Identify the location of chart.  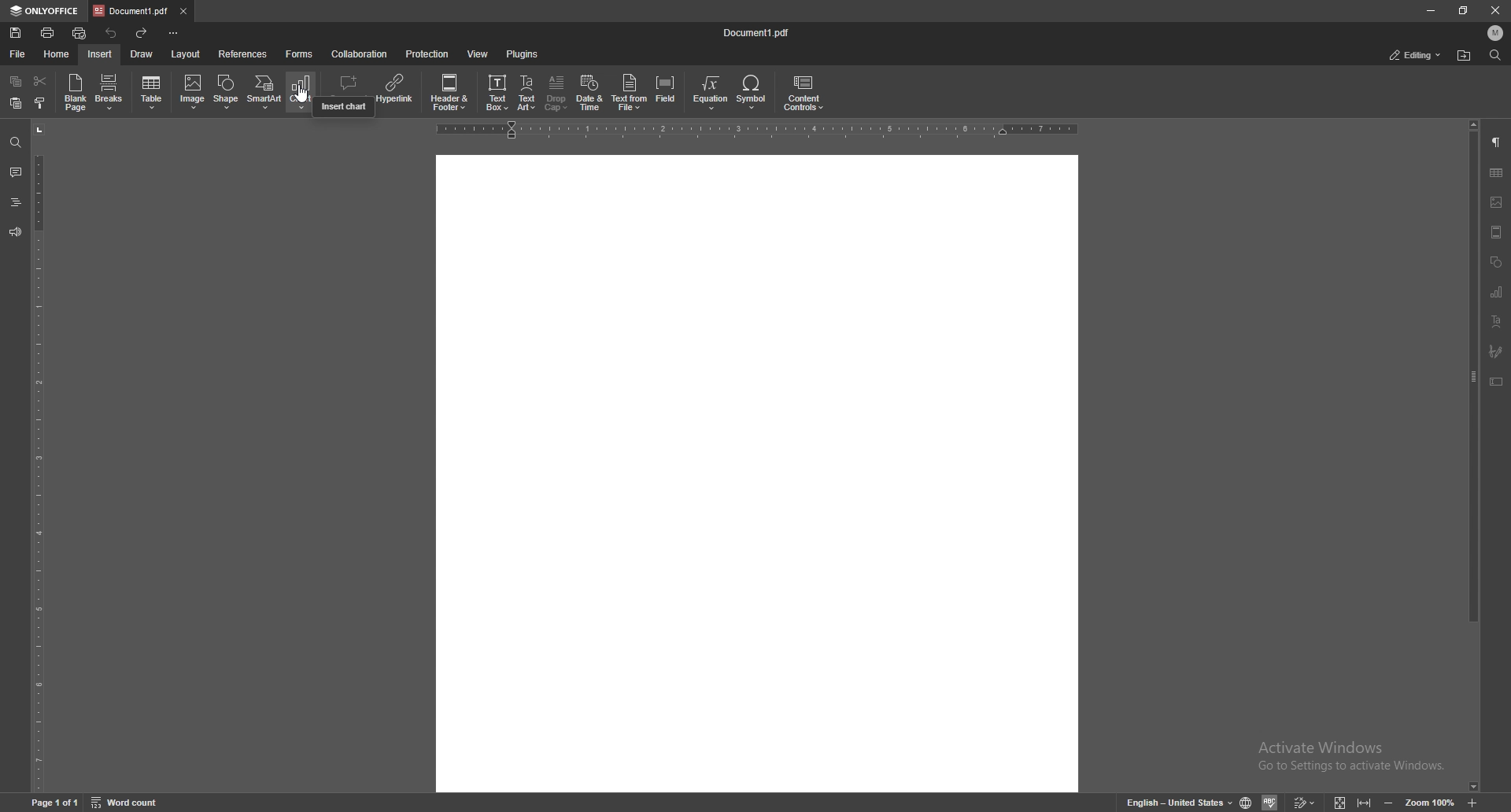
(1498, 292).